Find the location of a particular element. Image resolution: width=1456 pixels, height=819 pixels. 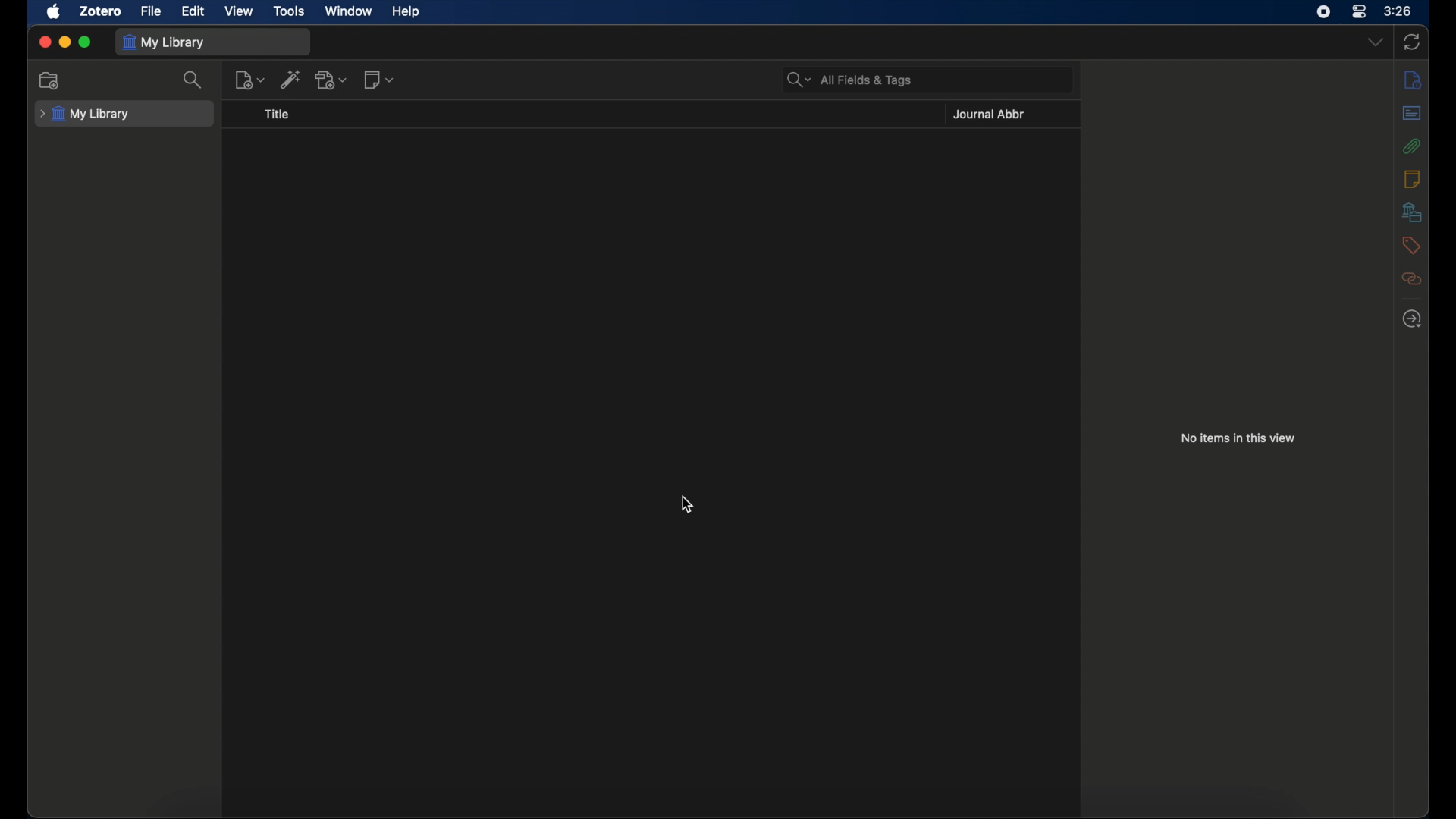

my library is located at coordinates (164, 42).